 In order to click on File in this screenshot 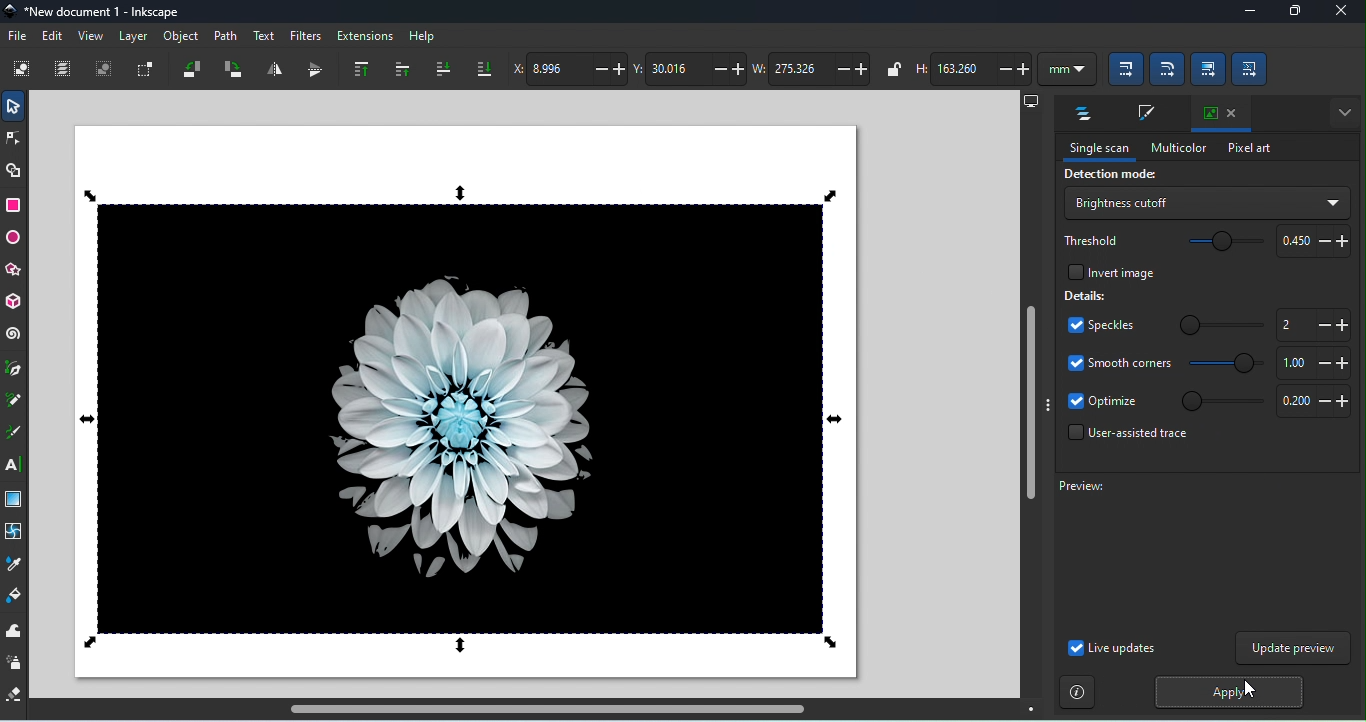, I will do `click(17, 34)`.